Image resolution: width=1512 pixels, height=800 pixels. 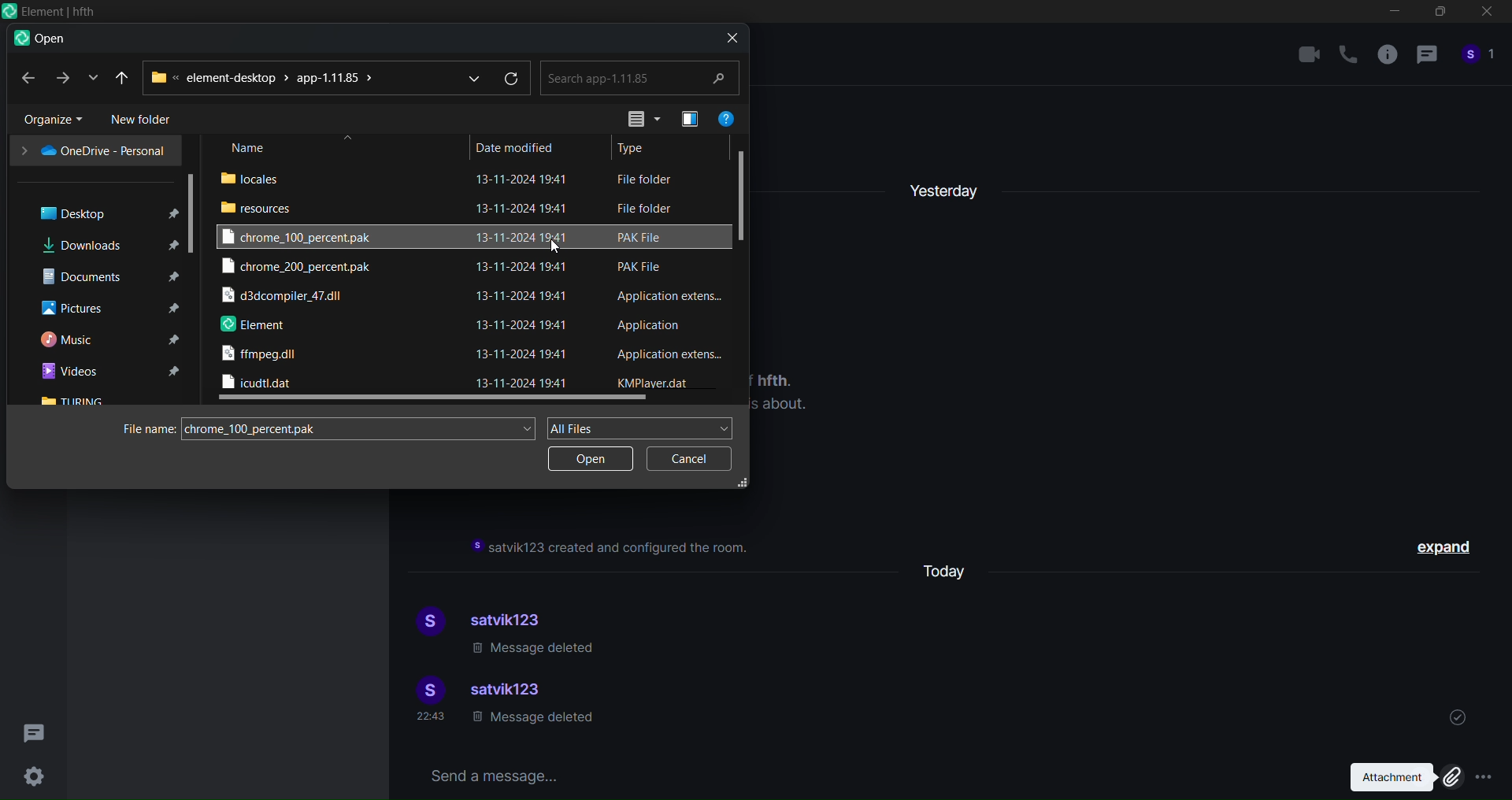 What do you see at coordinates (613, 548) in the screenshot?
I see `instruction` at bounding box center [613, 548].